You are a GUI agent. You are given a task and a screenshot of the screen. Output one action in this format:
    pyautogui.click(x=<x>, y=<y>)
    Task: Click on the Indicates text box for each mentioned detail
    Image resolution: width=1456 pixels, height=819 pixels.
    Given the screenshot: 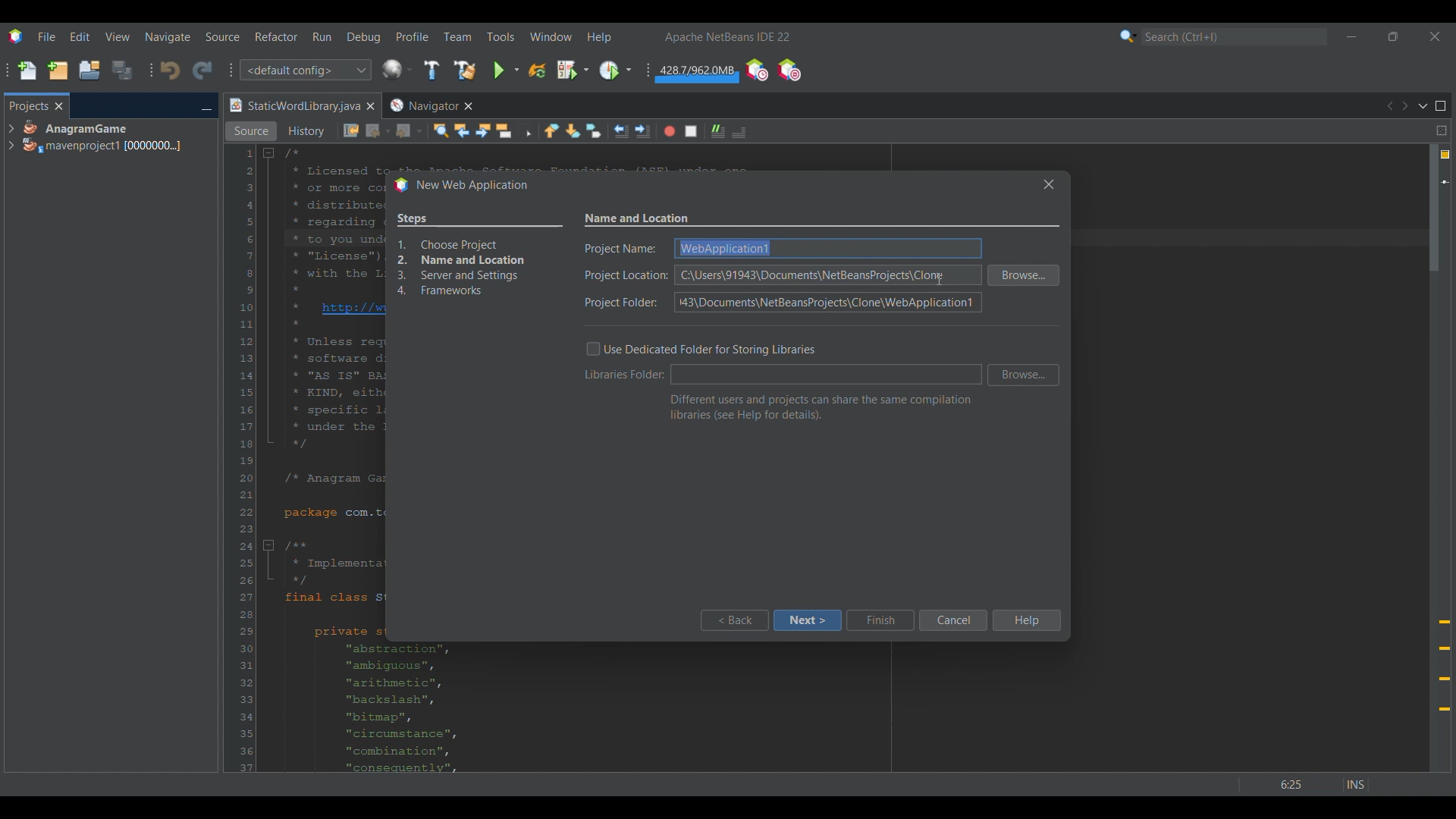 What is the action you would take?
    pyautogui.click(x=626, y=276)
    